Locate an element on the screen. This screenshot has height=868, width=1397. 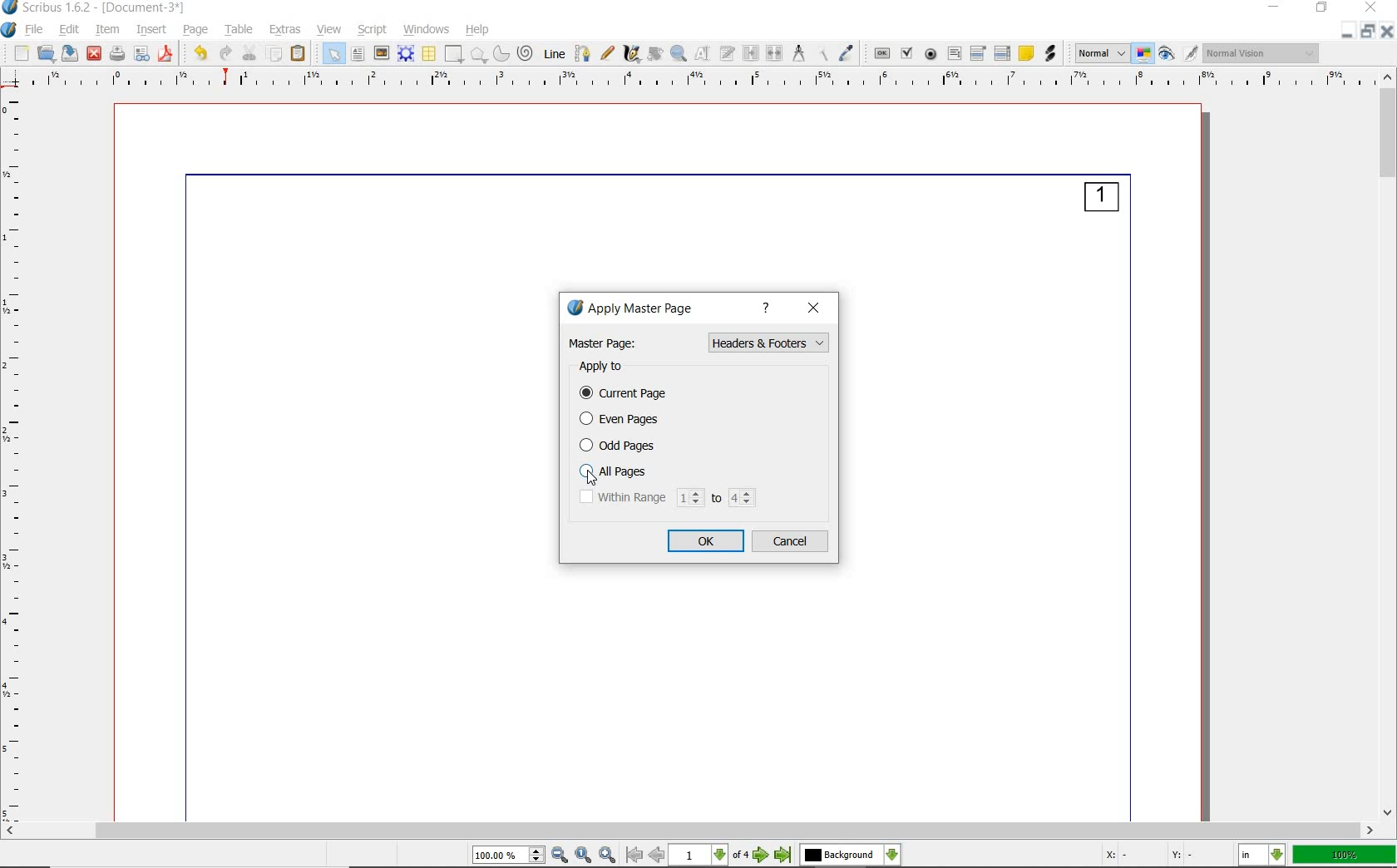
calligraphic line is located at coordinates (632, 55).